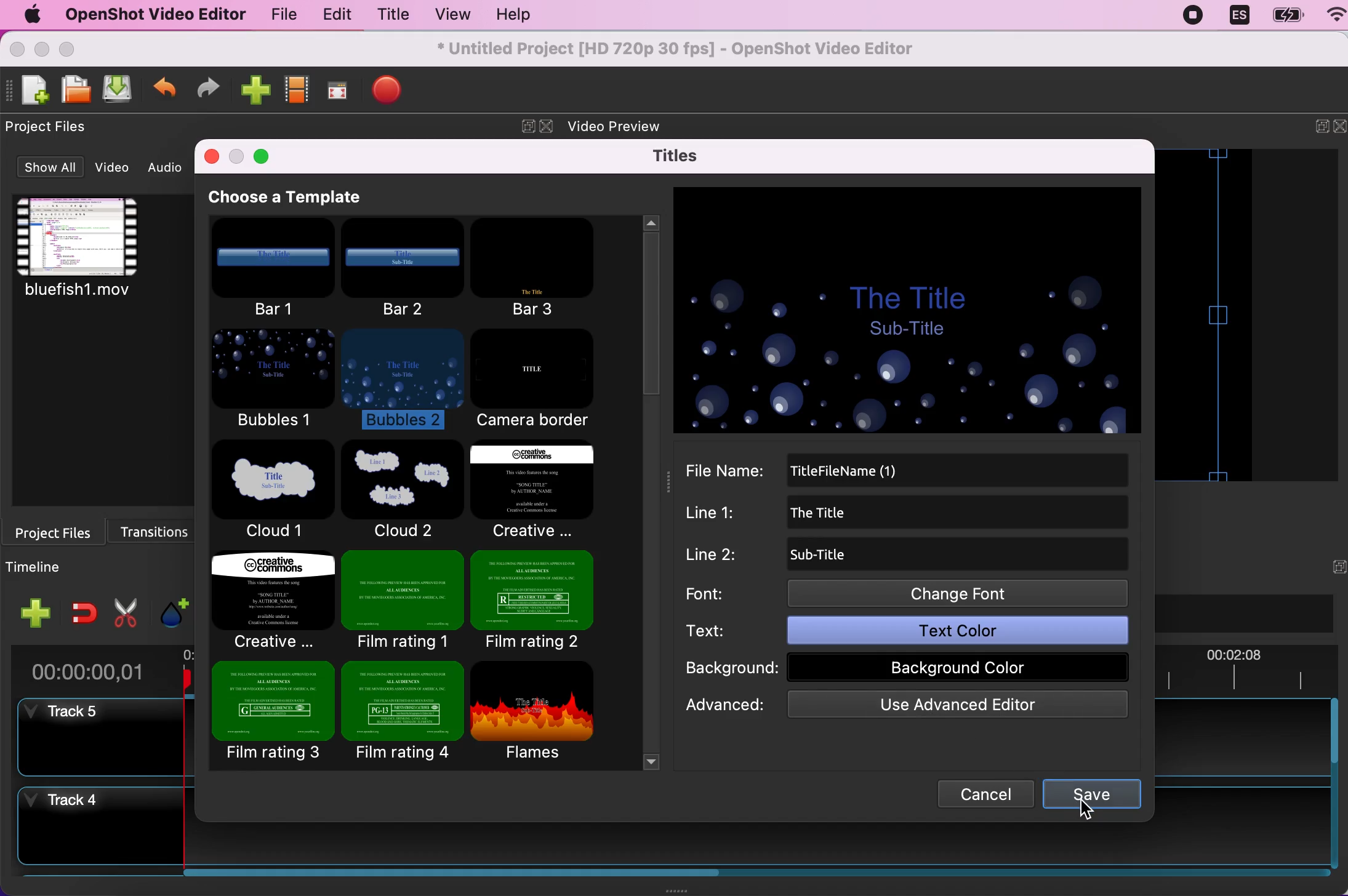 This screenshot has width=1348, height=896. What do you see at coordinates (74, 49) in the screenshot?
I see `maximize` at bounding box center [74, 49].